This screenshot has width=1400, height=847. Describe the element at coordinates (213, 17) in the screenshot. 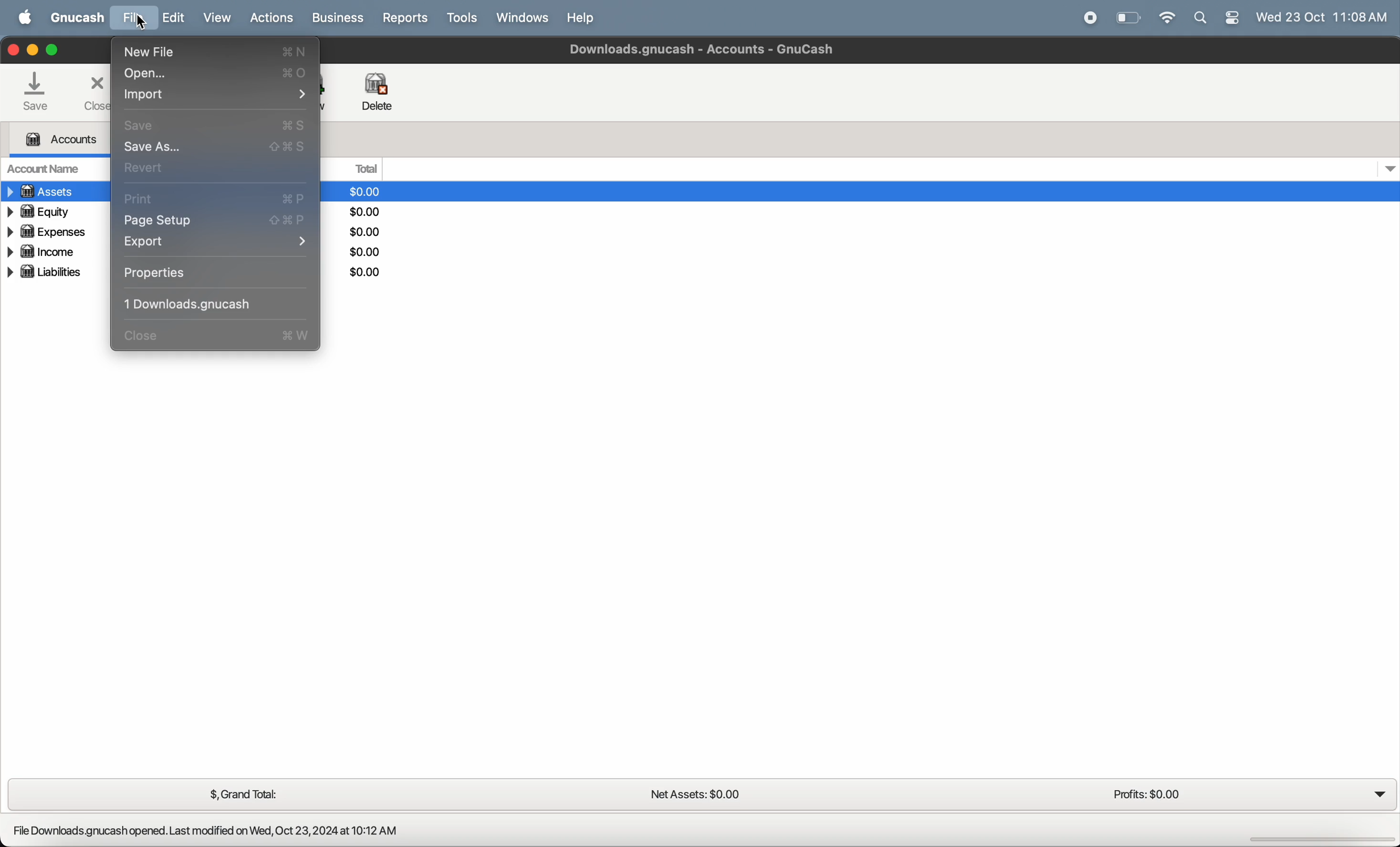

I see `view` at that location.